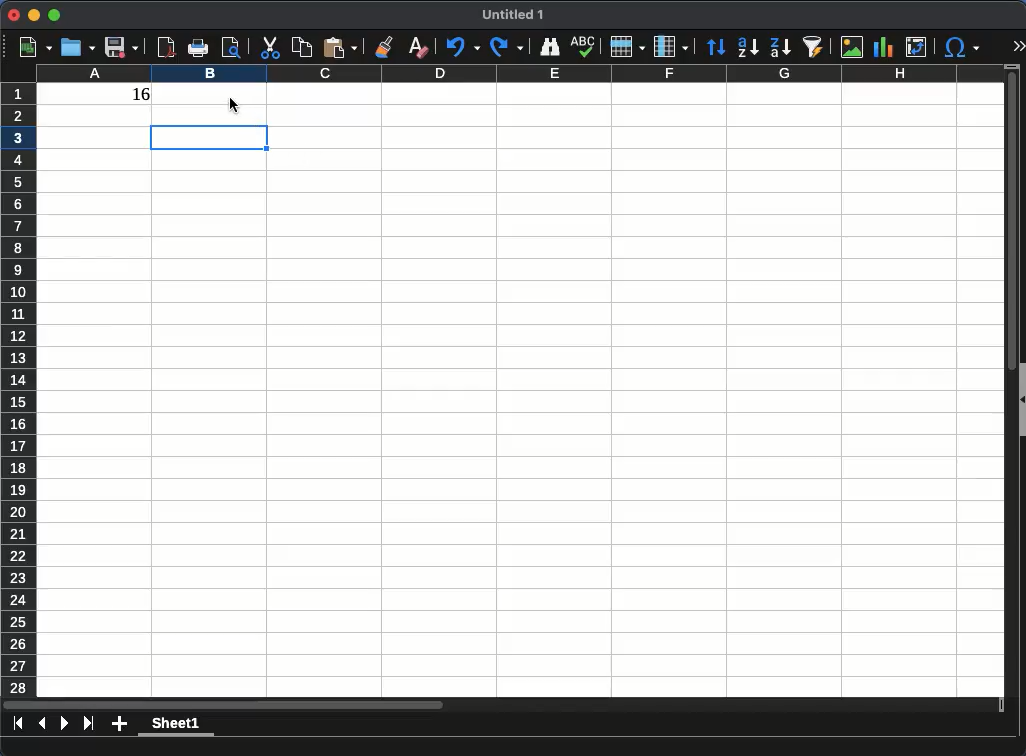  I want to click on clone formatting , so click(383, 46).